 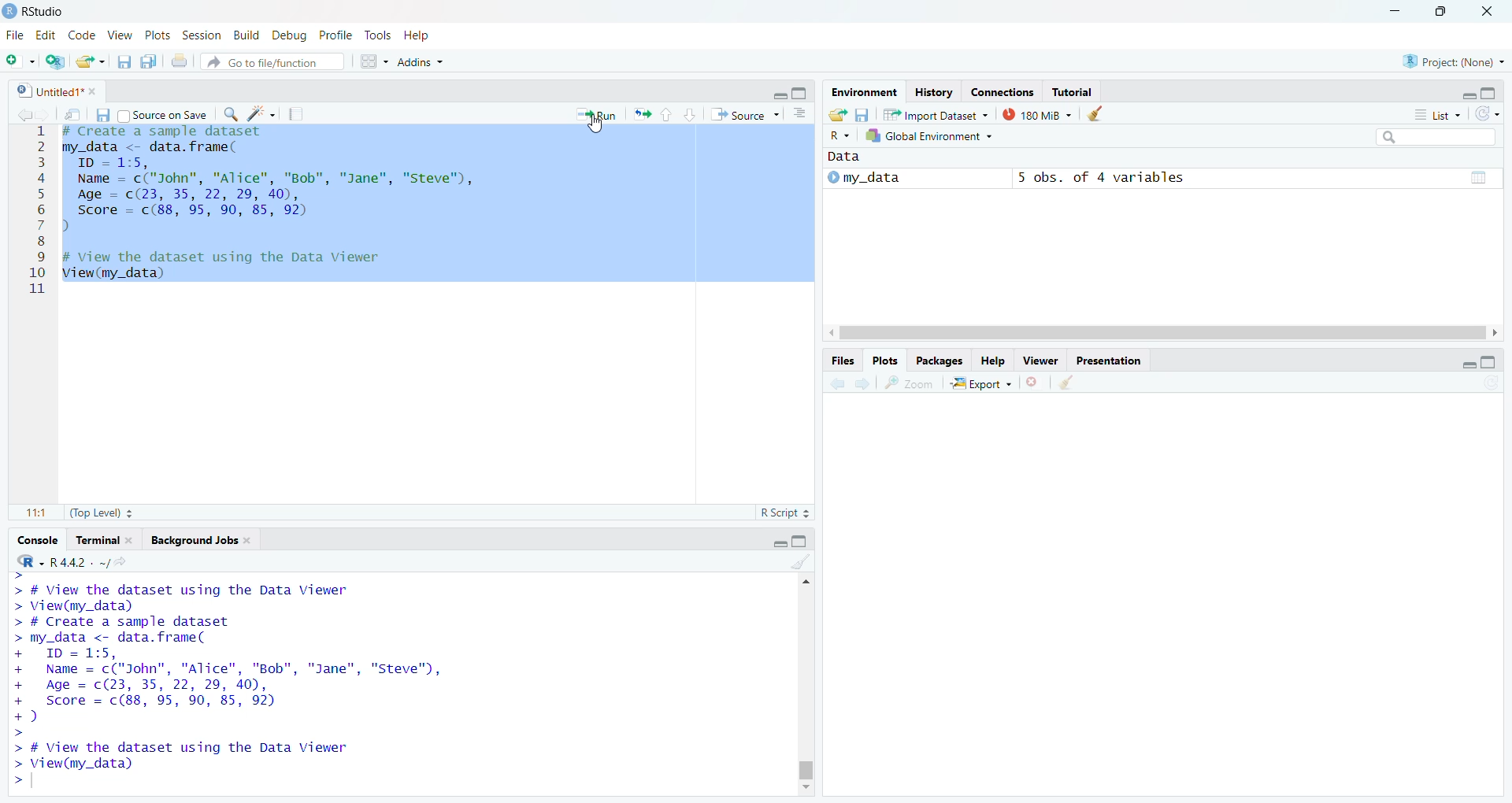 I want to click on Clear object for workspaces, so click(x=1073, y=383).